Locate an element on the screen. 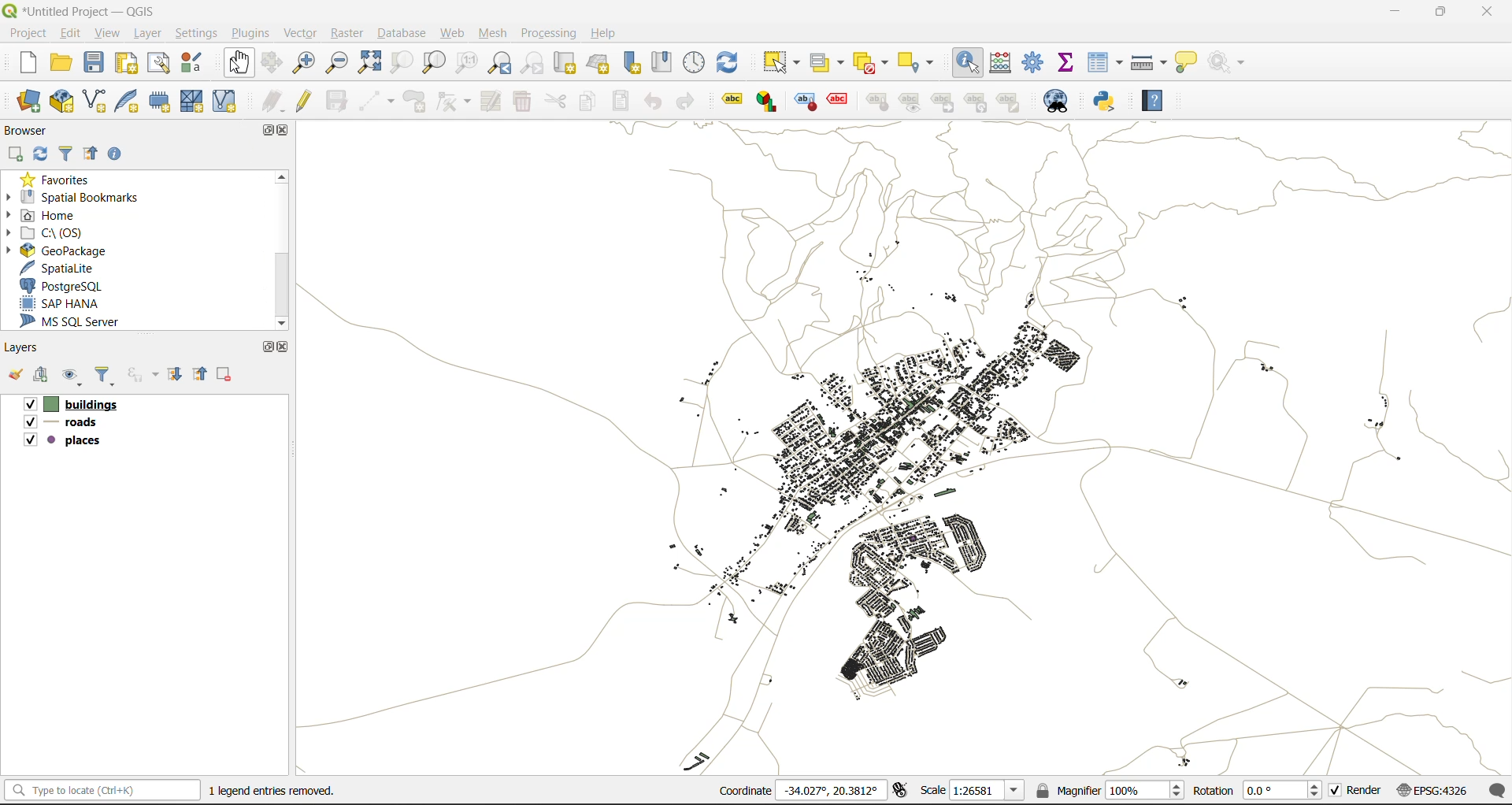  style manager is located at coordinates (197, 62).